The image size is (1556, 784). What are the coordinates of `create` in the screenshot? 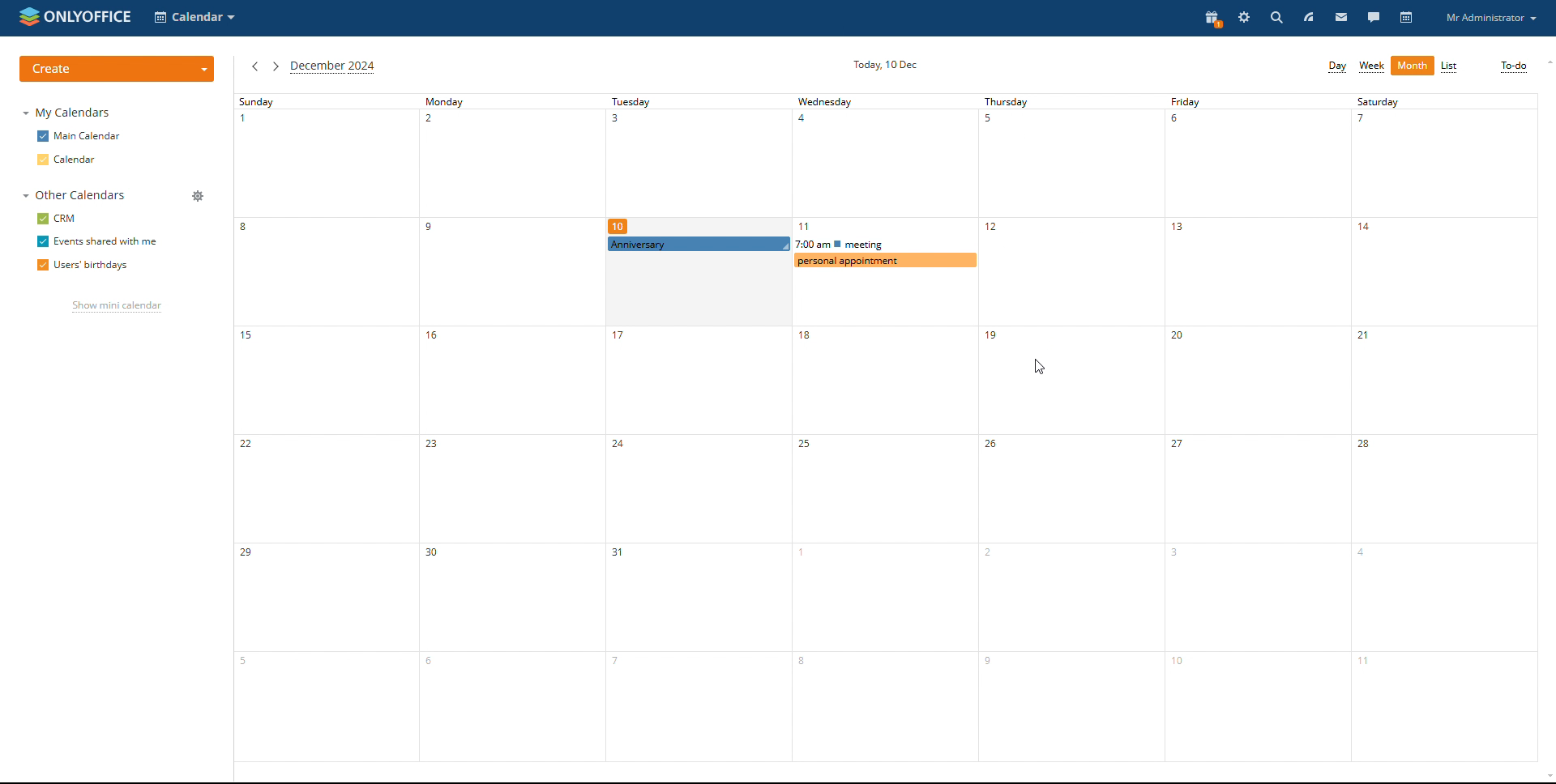 It's located at (118, 68).